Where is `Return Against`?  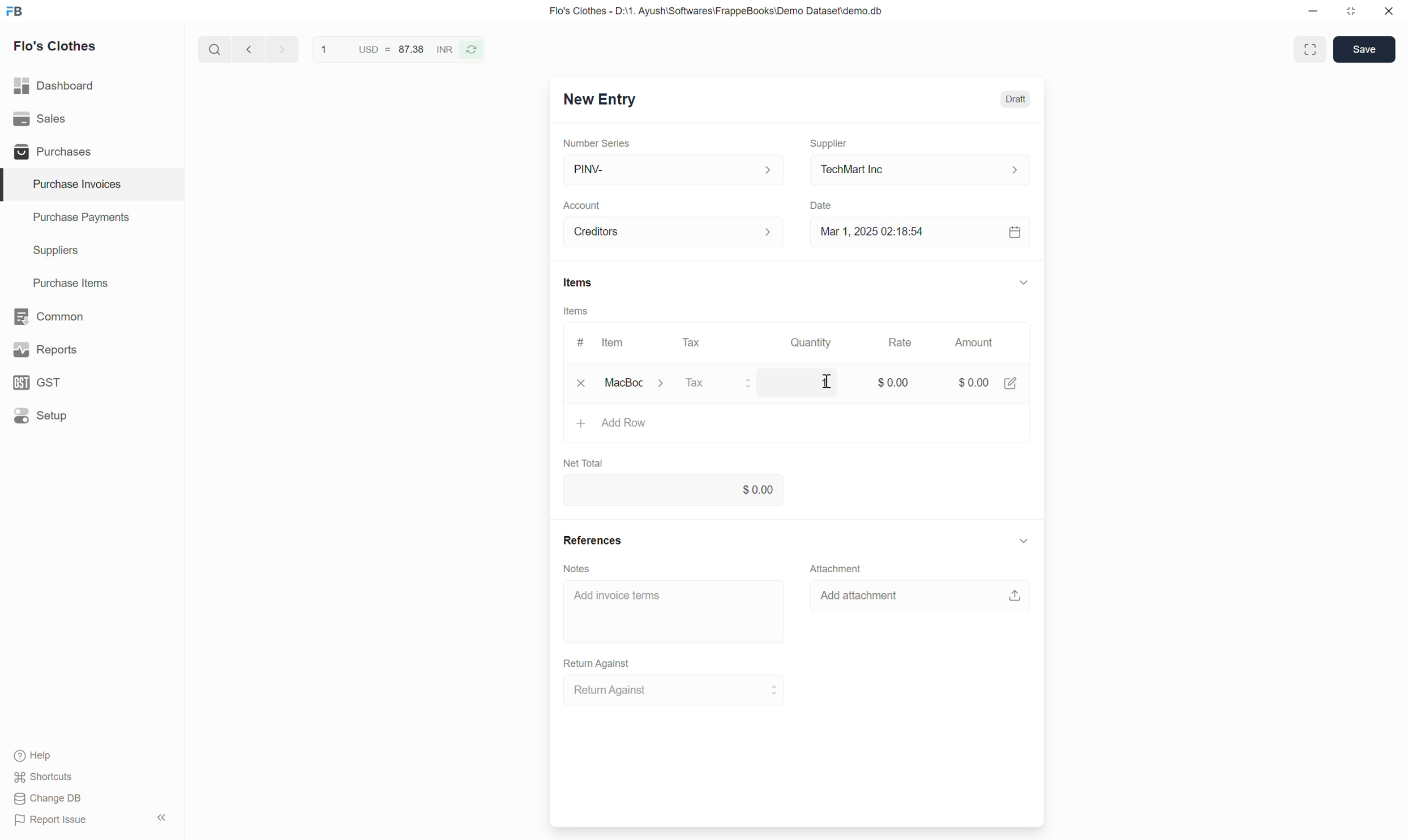
Return Against is located at coordinates (597, 664).